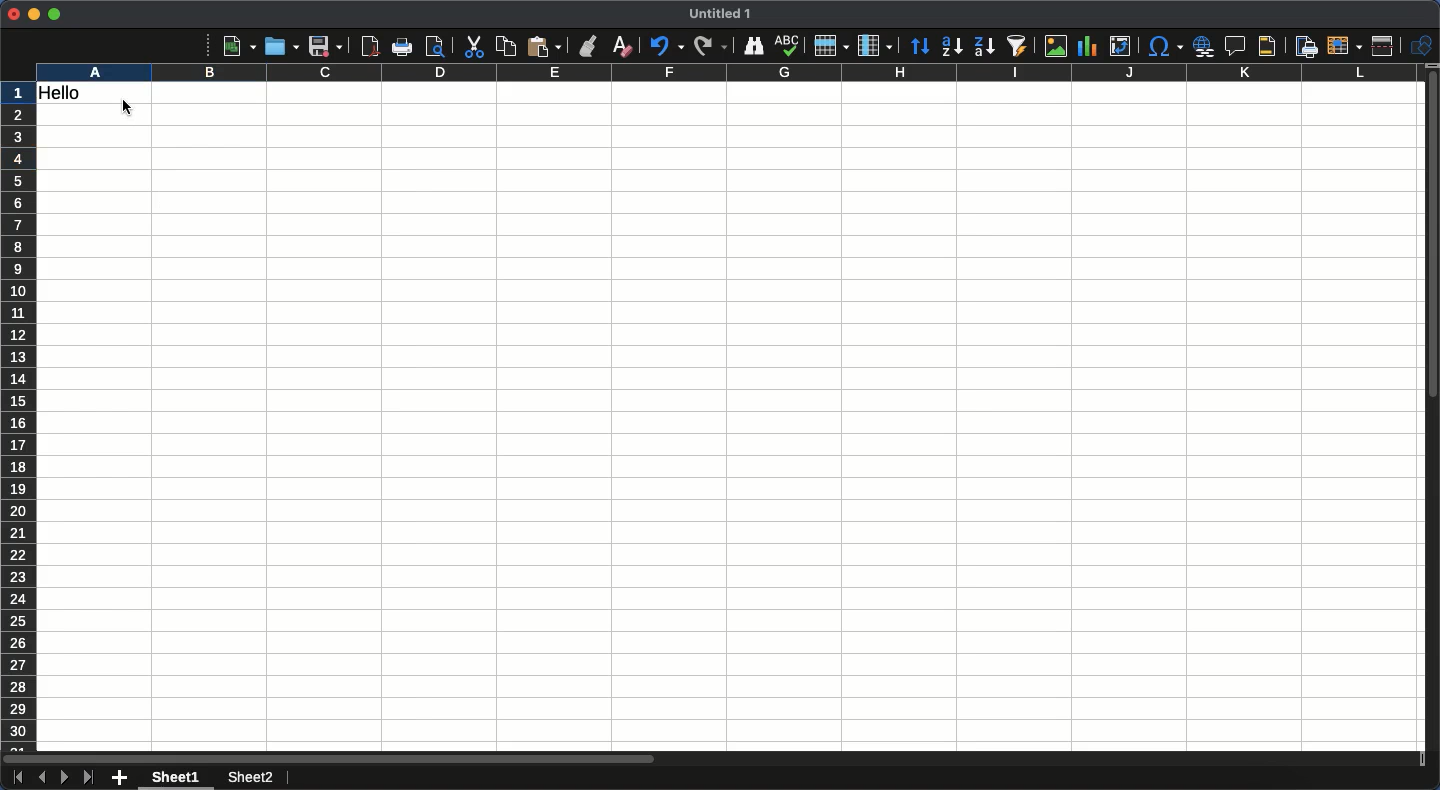 This screenshot has height=790, width=1440. What do you see at coordinates (120, 779) in the screenshot?
I see `Add new sheet` at bounding box center [120, 779].